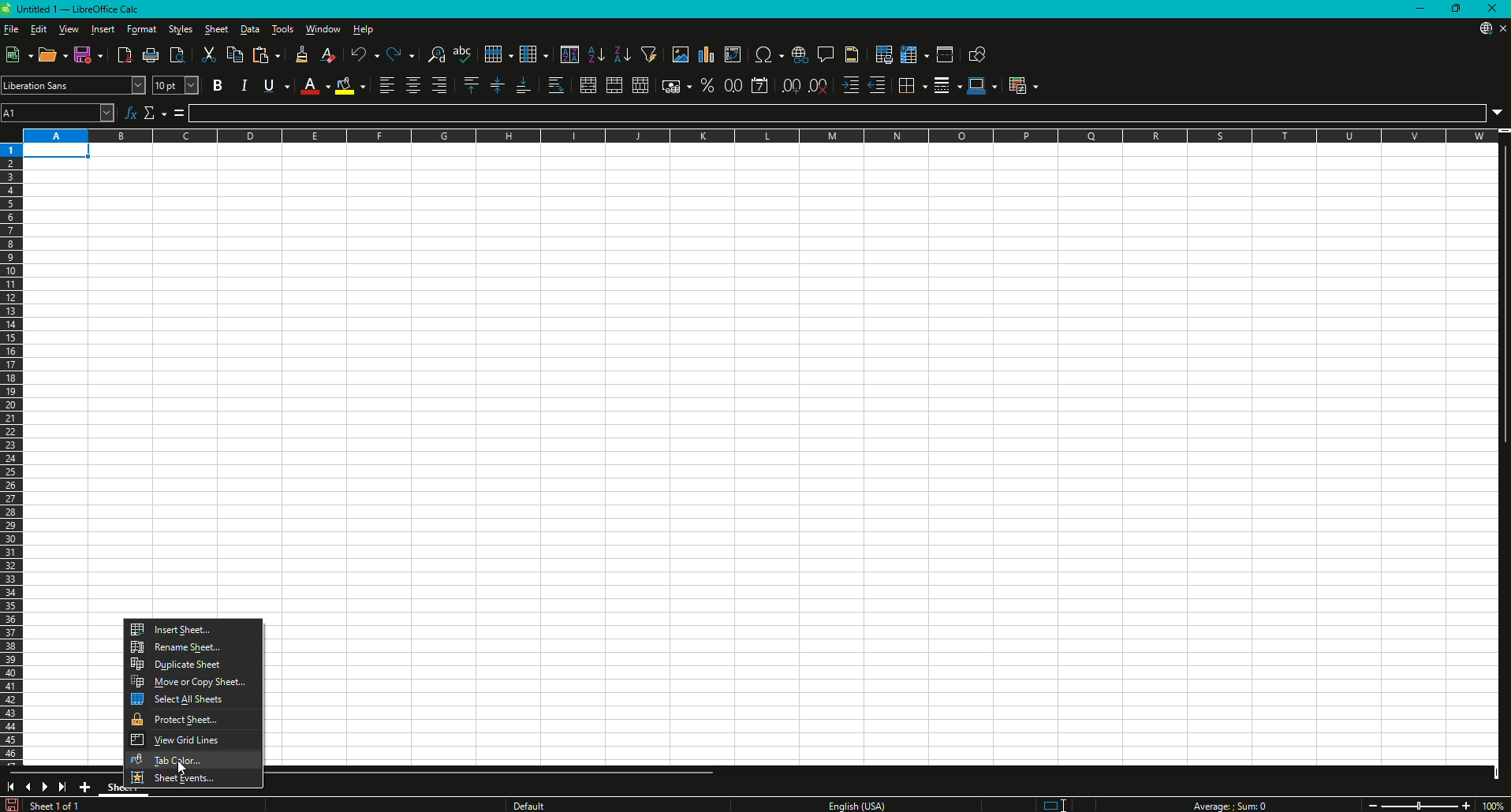 The image size is (1511, 812). What do you see at coordinates (1456, 8) in the screenshot?
I see `Restore` at bounding box center [1456, 8].